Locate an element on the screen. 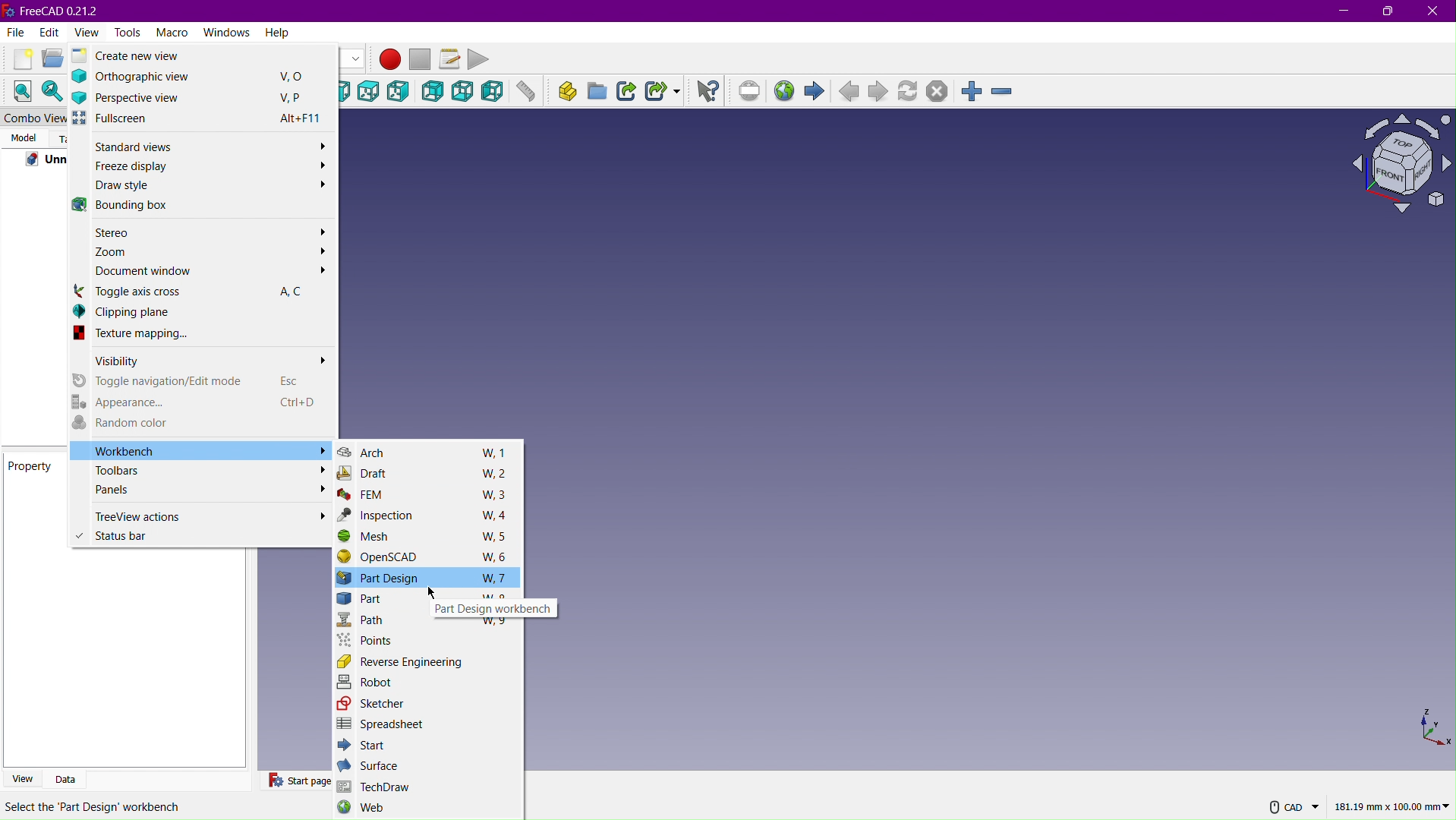  Robot is located at coordinates (365, 684).